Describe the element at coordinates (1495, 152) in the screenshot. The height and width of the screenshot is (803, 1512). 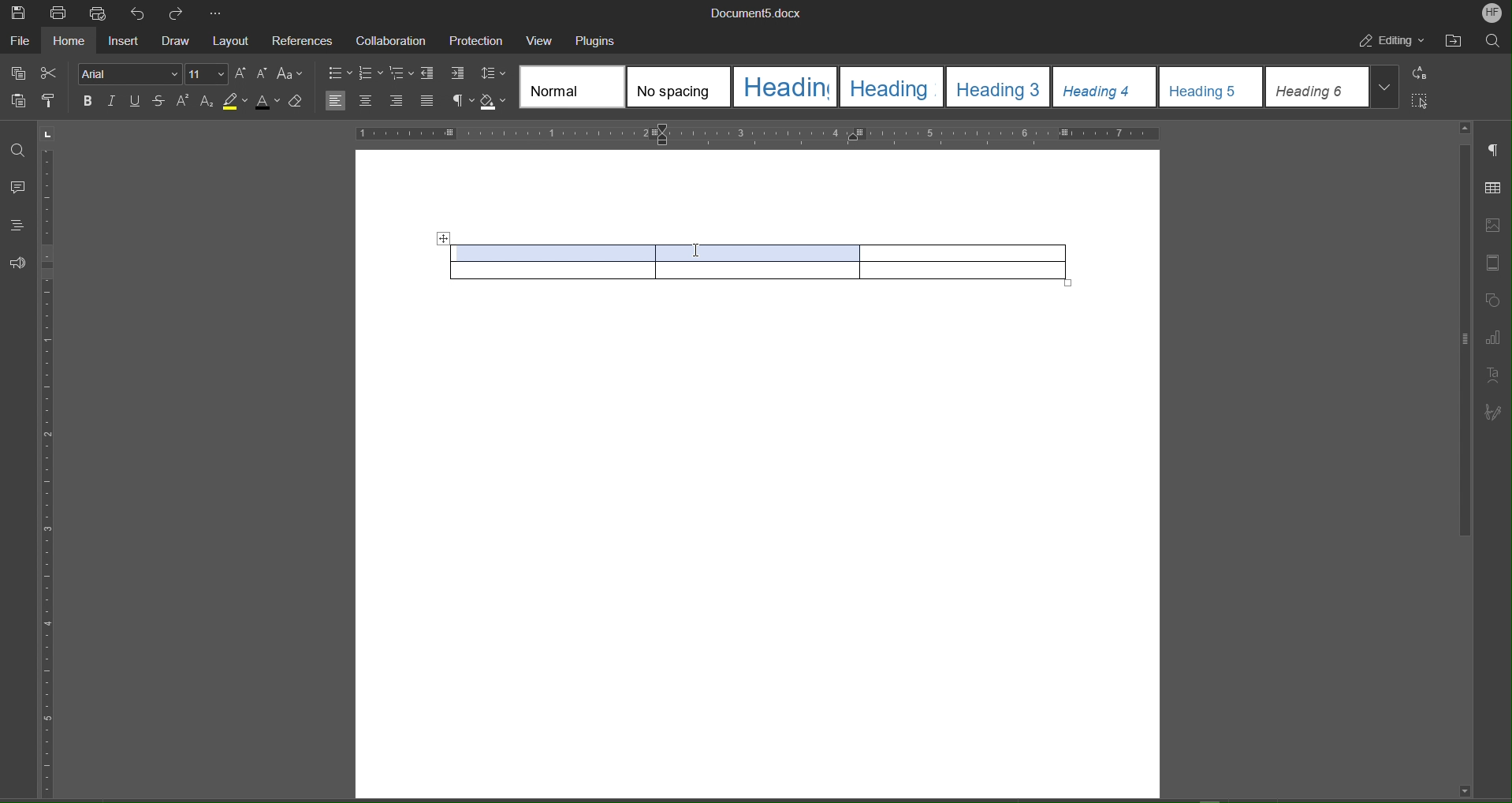
I see `Paragraph Settings` at that location.